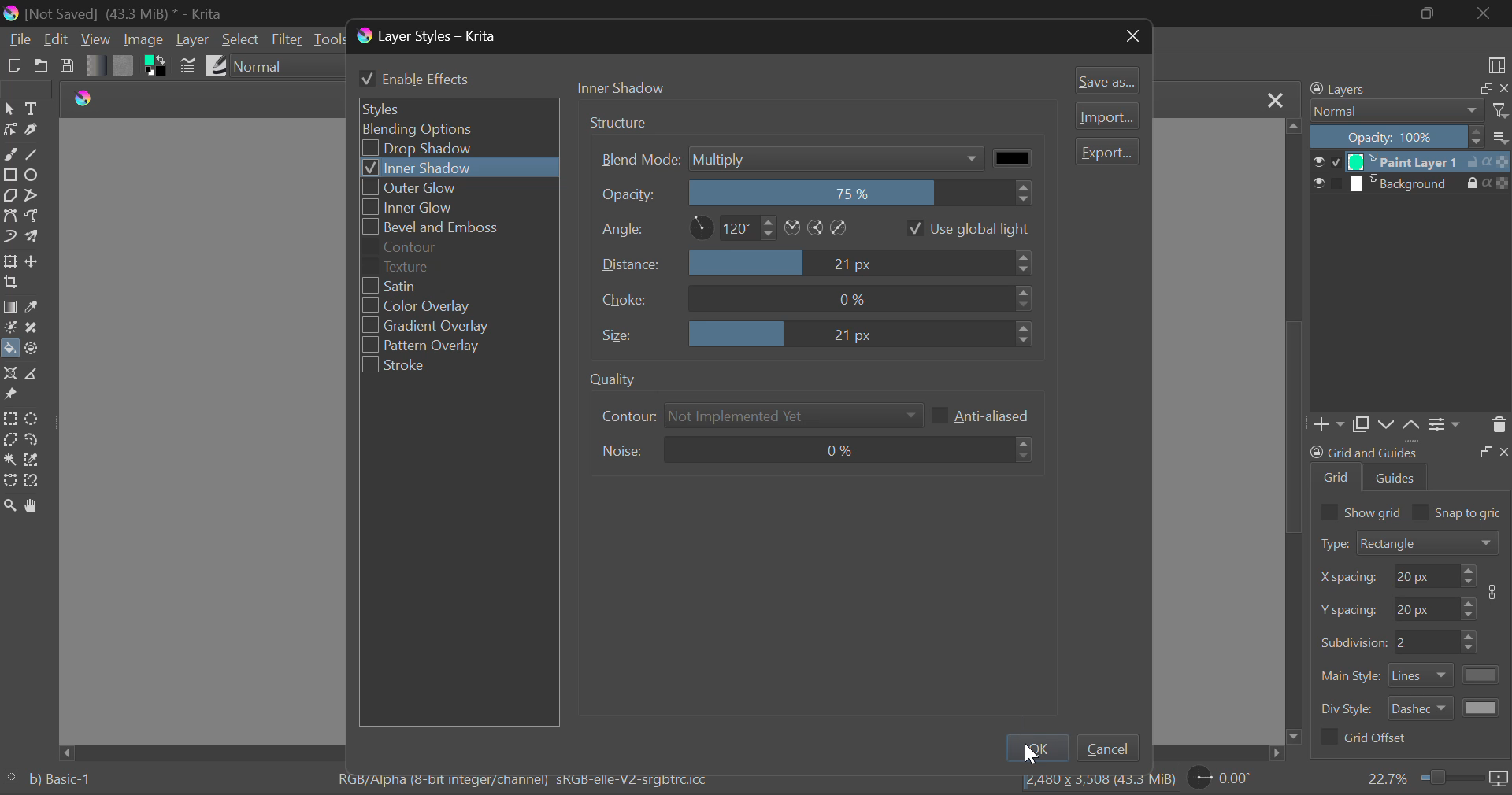 This screenshot has height=795, width=1512. I want to click on Settings, so click(1447, 429).